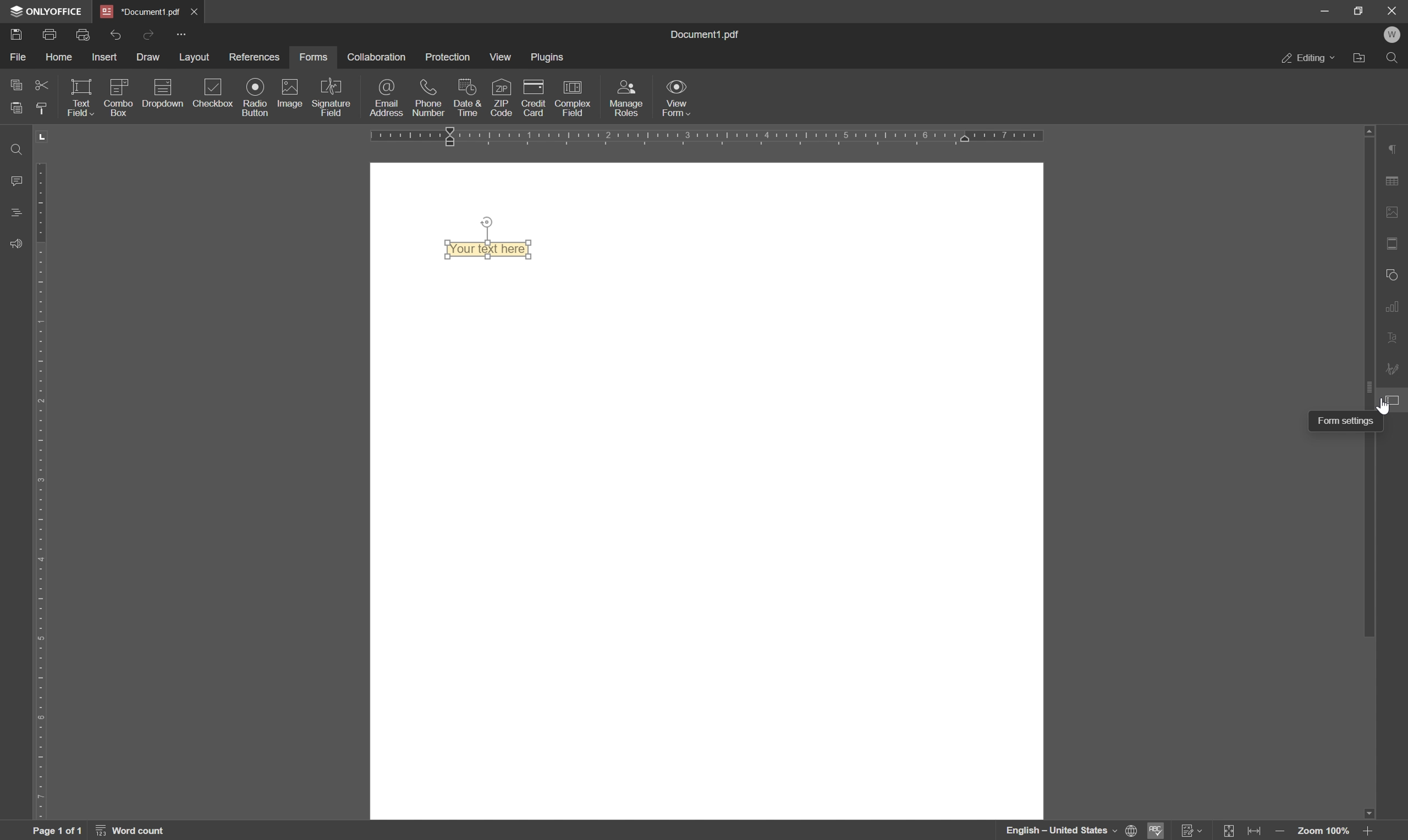  What do you see at coordinates (707, 137) in the screenshot?
I see `ruler` at bounding box center [707, 137].